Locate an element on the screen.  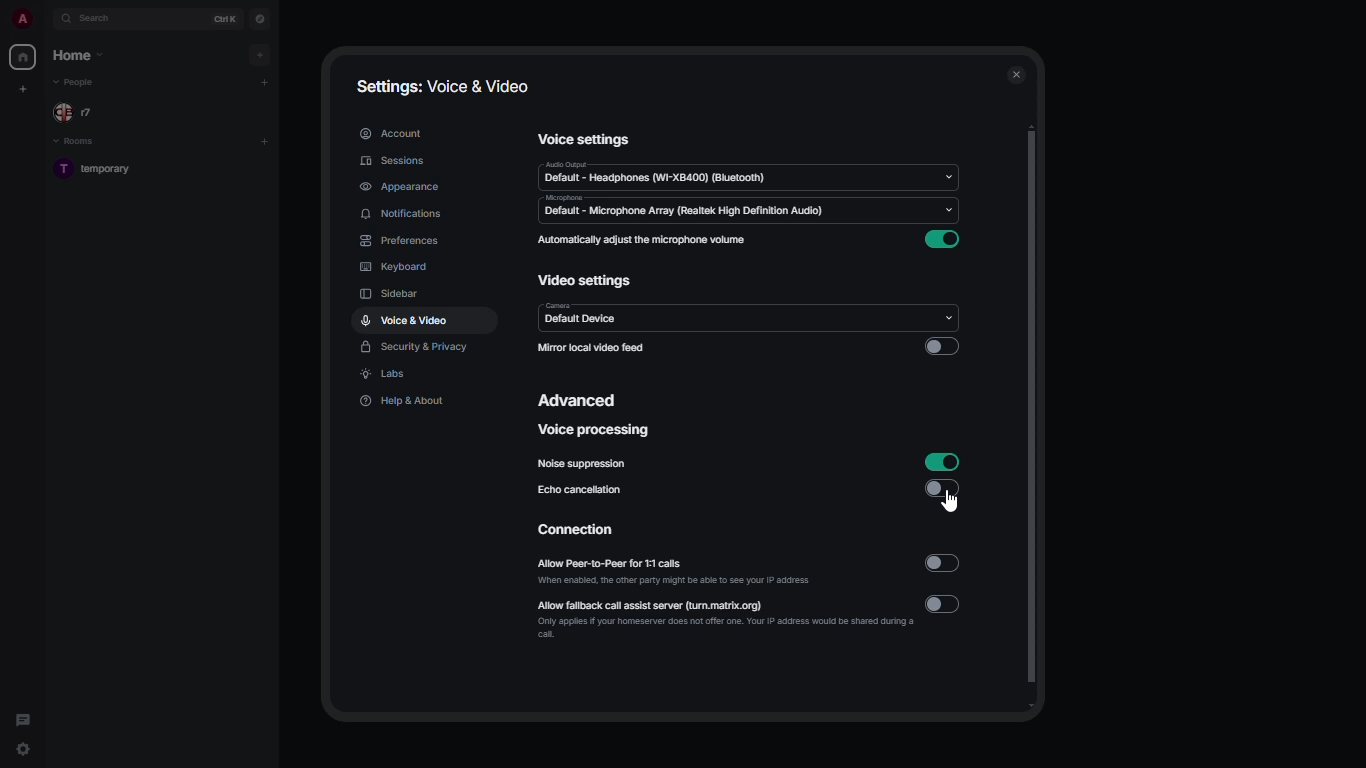
help & about is located at coordinates (404, 398).